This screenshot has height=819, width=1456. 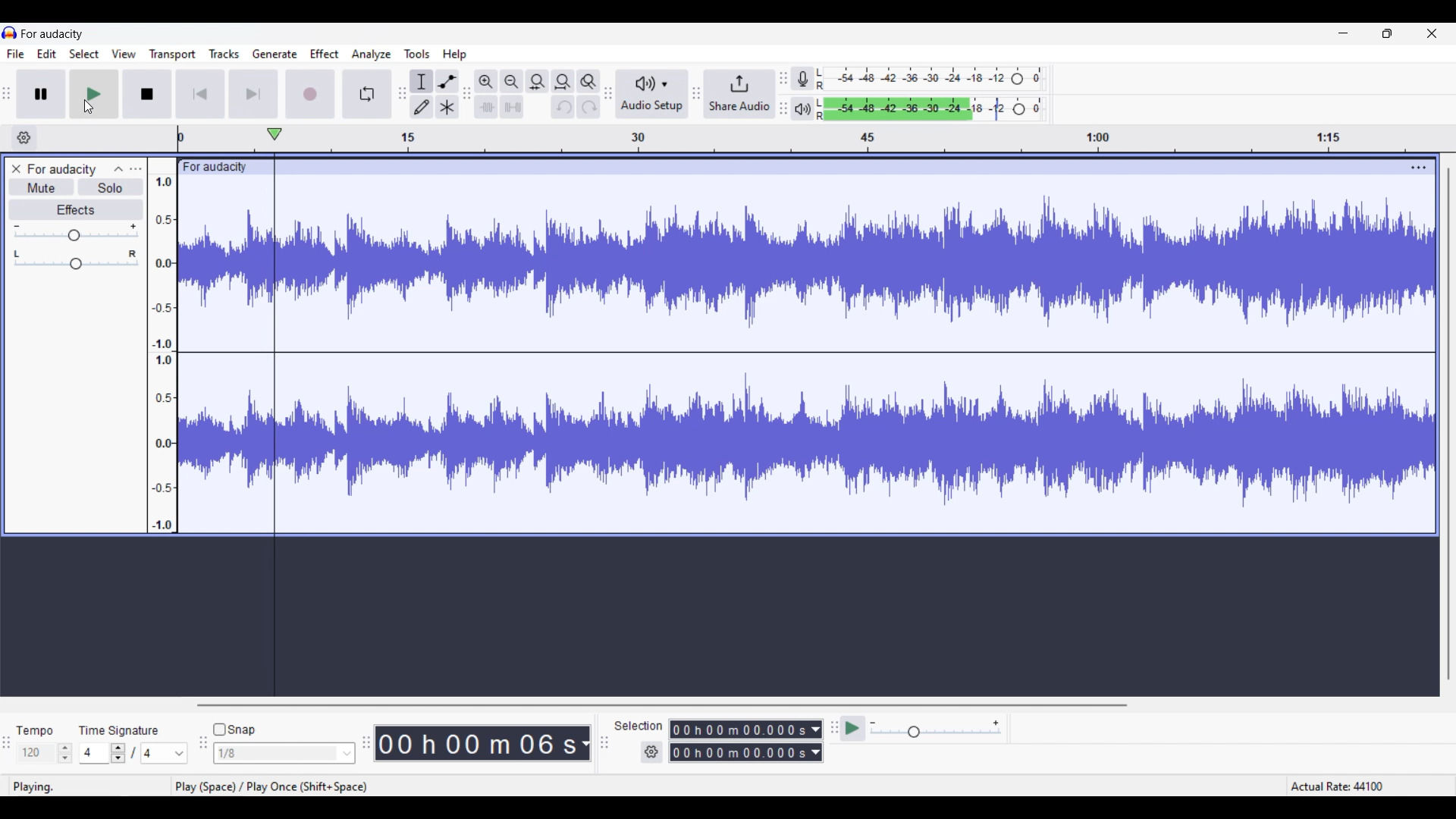 What do you see at coordinates (224, 53) in the screenshot?
I see `Tracks menu` at bounding box center [224, 53].